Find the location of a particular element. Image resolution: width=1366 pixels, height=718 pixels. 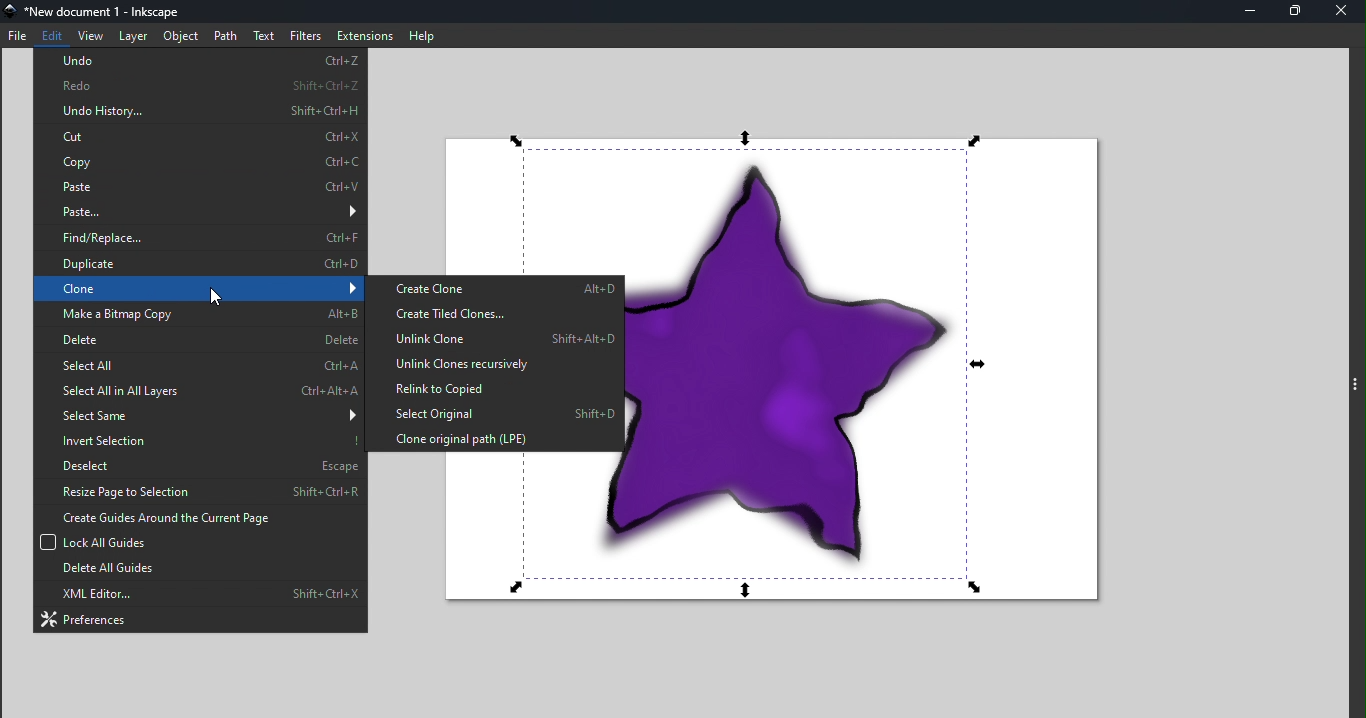

paste is located at coordinates (199, 186).